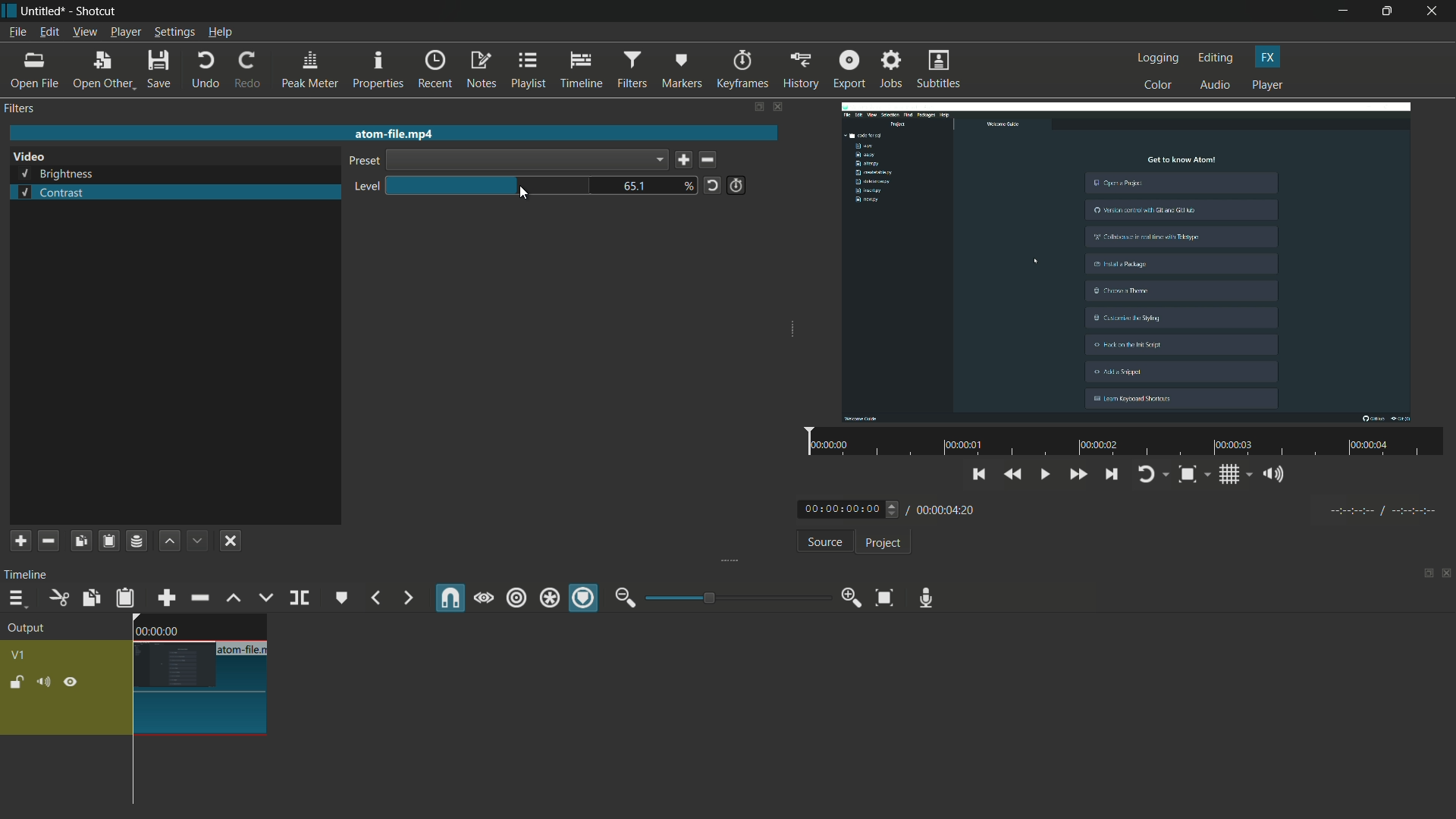 This screenshot has height=819, width=1456. I want to click on skip to the previous point, so click(979, 472).